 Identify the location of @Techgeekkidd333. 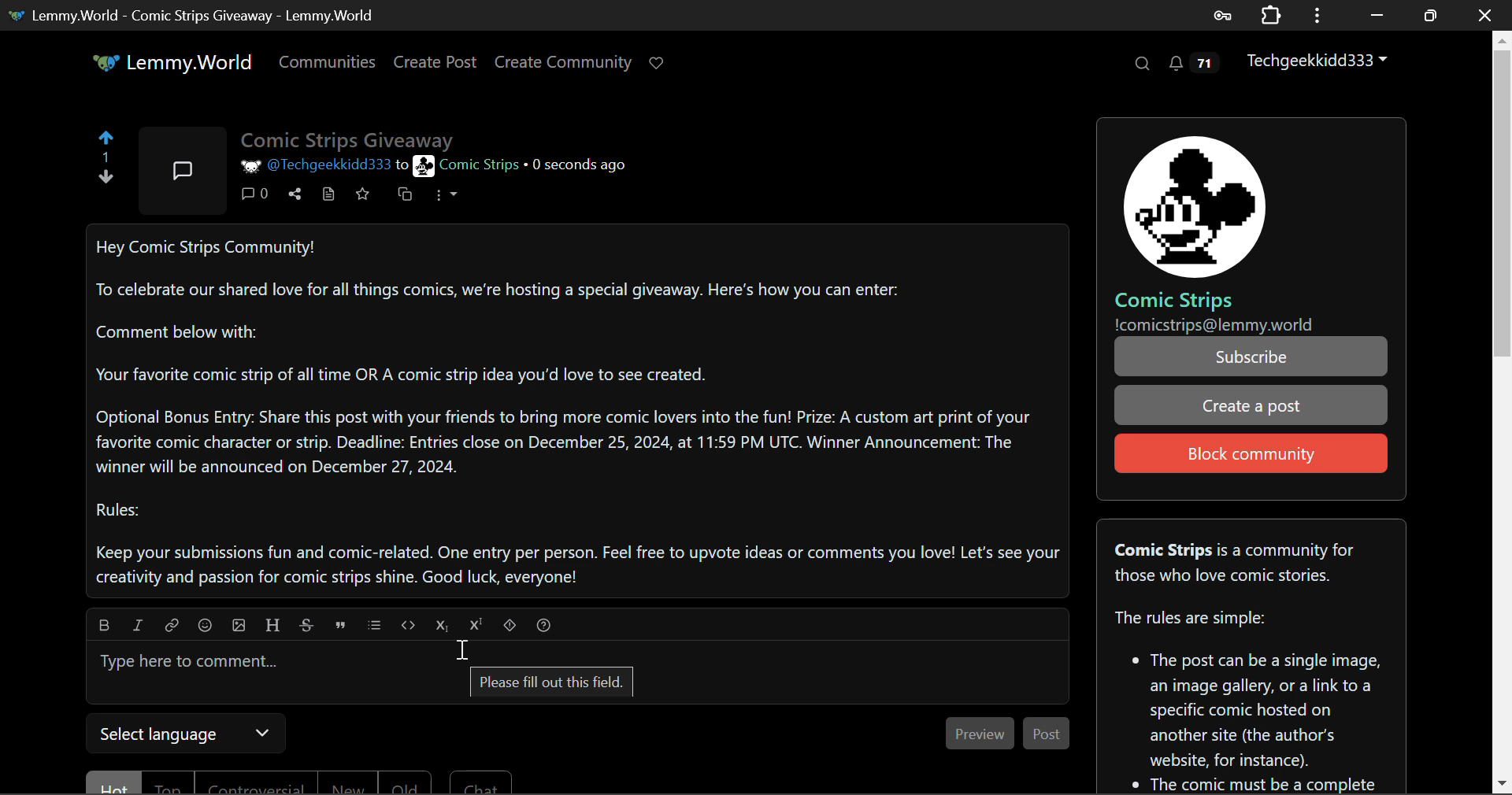
(317, 163).